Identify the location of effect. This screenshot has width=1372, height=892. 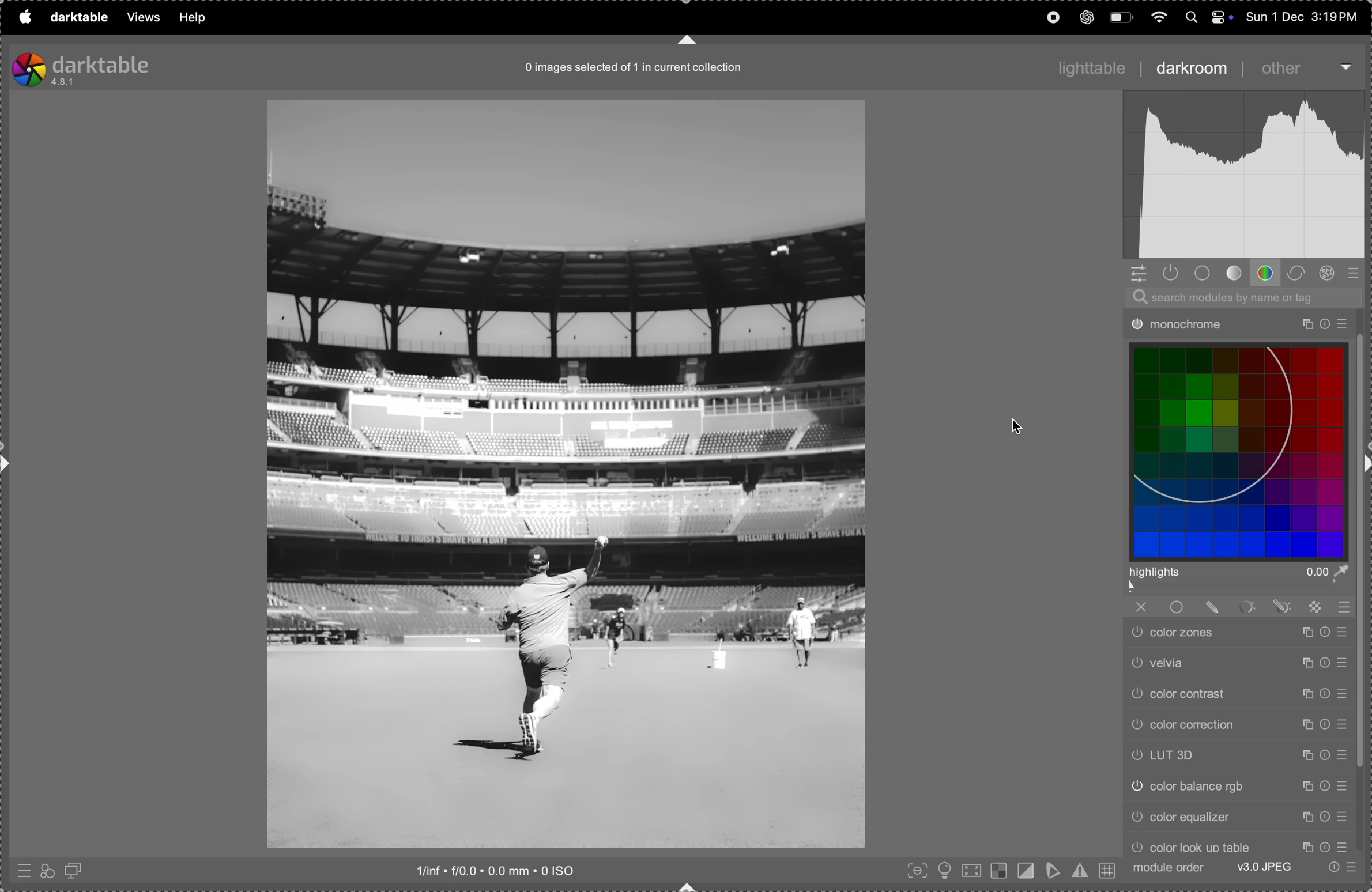
(1328, 273).